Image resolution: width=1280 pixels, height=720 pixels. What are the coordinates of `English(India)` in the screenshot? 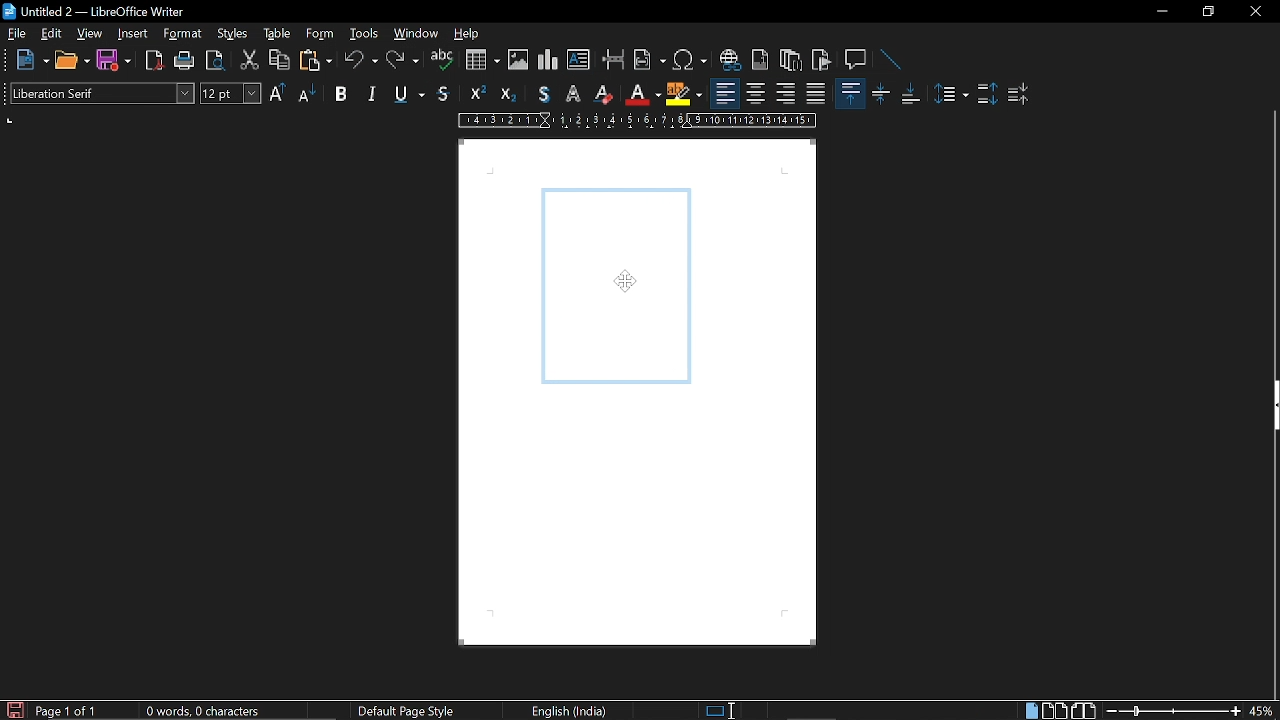 It's located at (572, 710).